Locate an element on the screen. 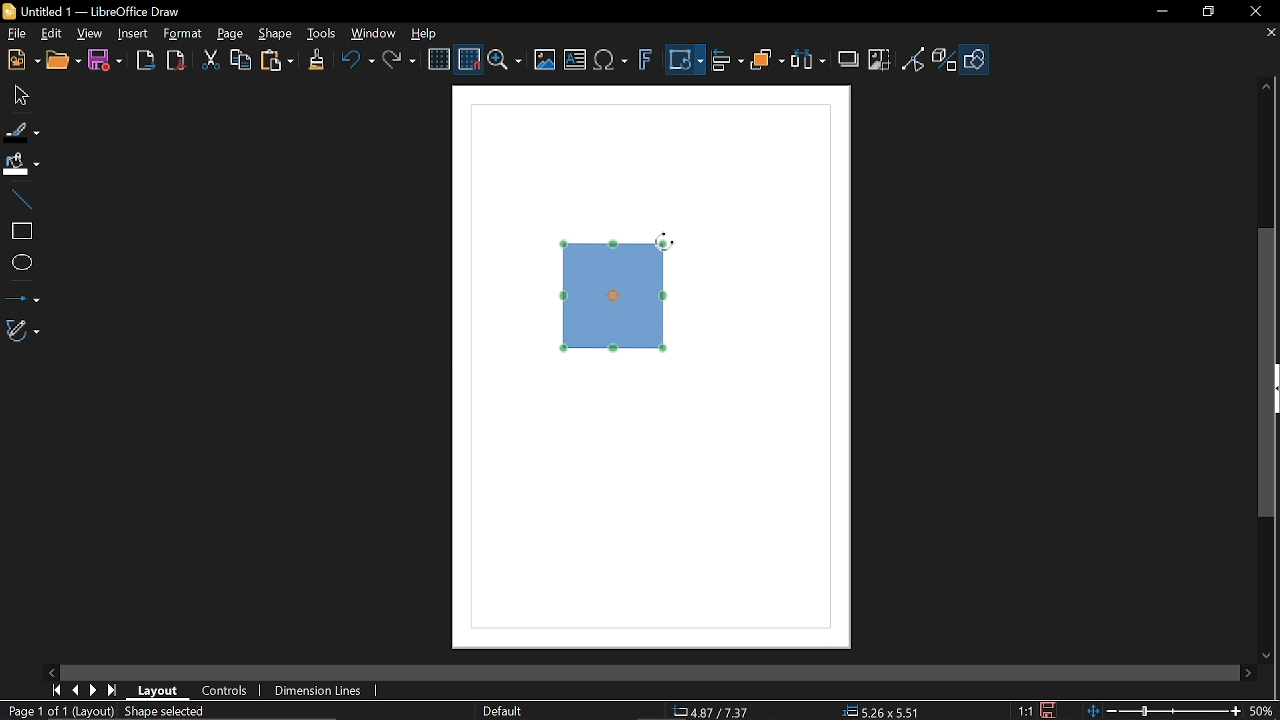 The image size is (1280, 720). Save is located at coordinates (1046, 710).